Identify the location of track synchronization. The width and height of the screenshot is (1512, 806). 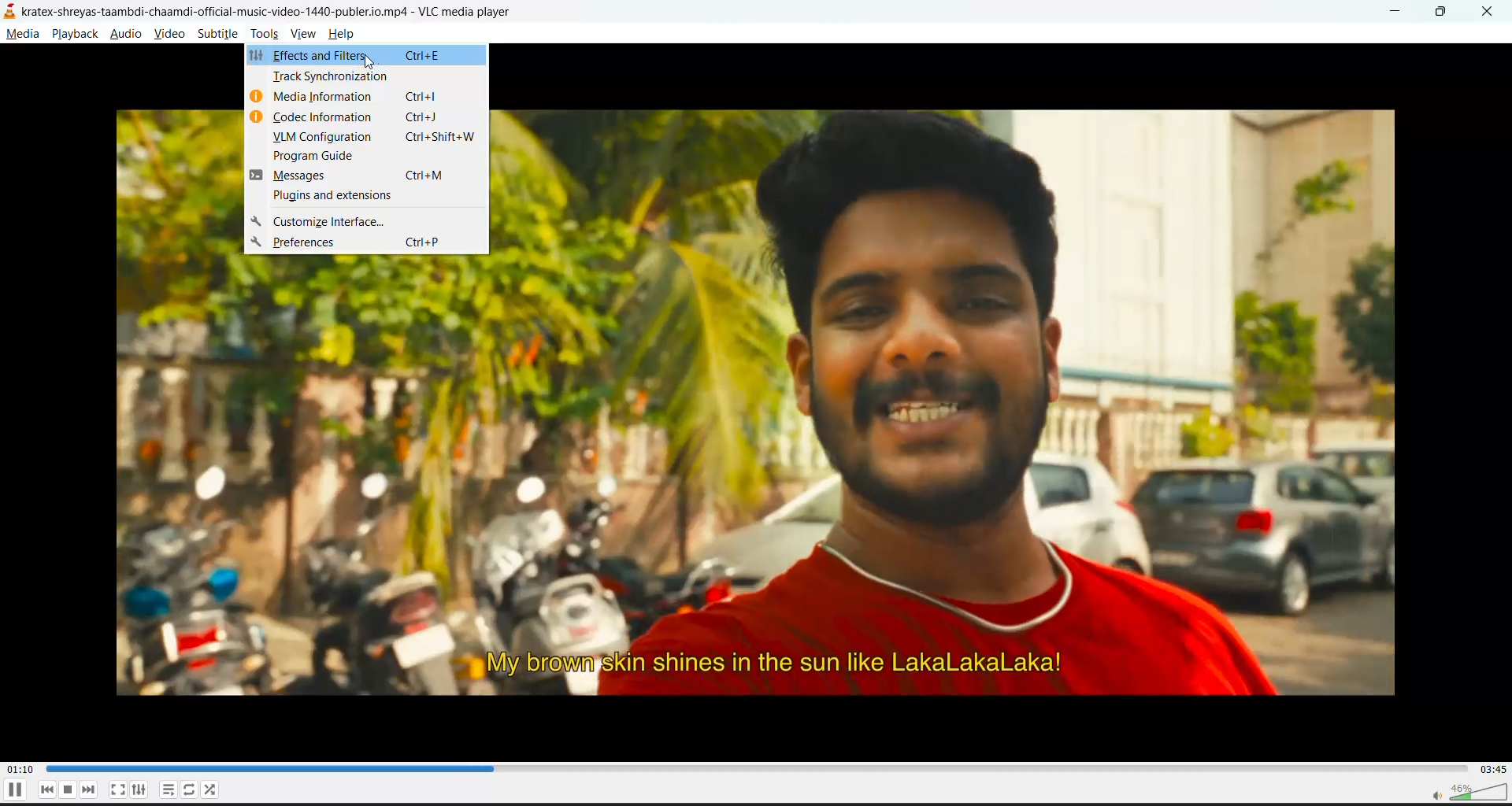
(332, 80).